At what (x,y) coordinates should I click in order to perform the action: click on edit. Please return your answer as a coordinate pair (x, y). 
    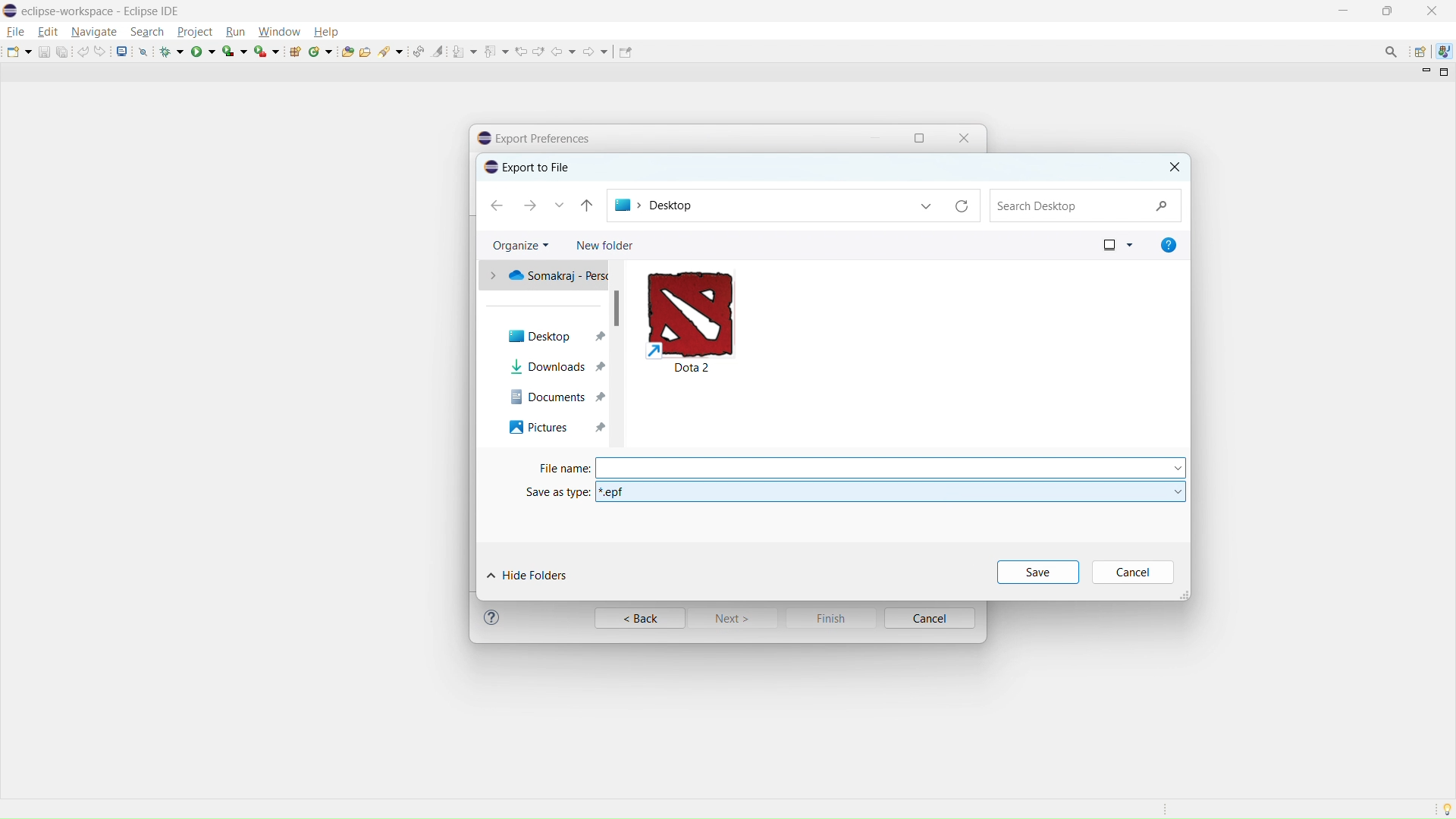
    Looking at the image, I should click on (48, 32).